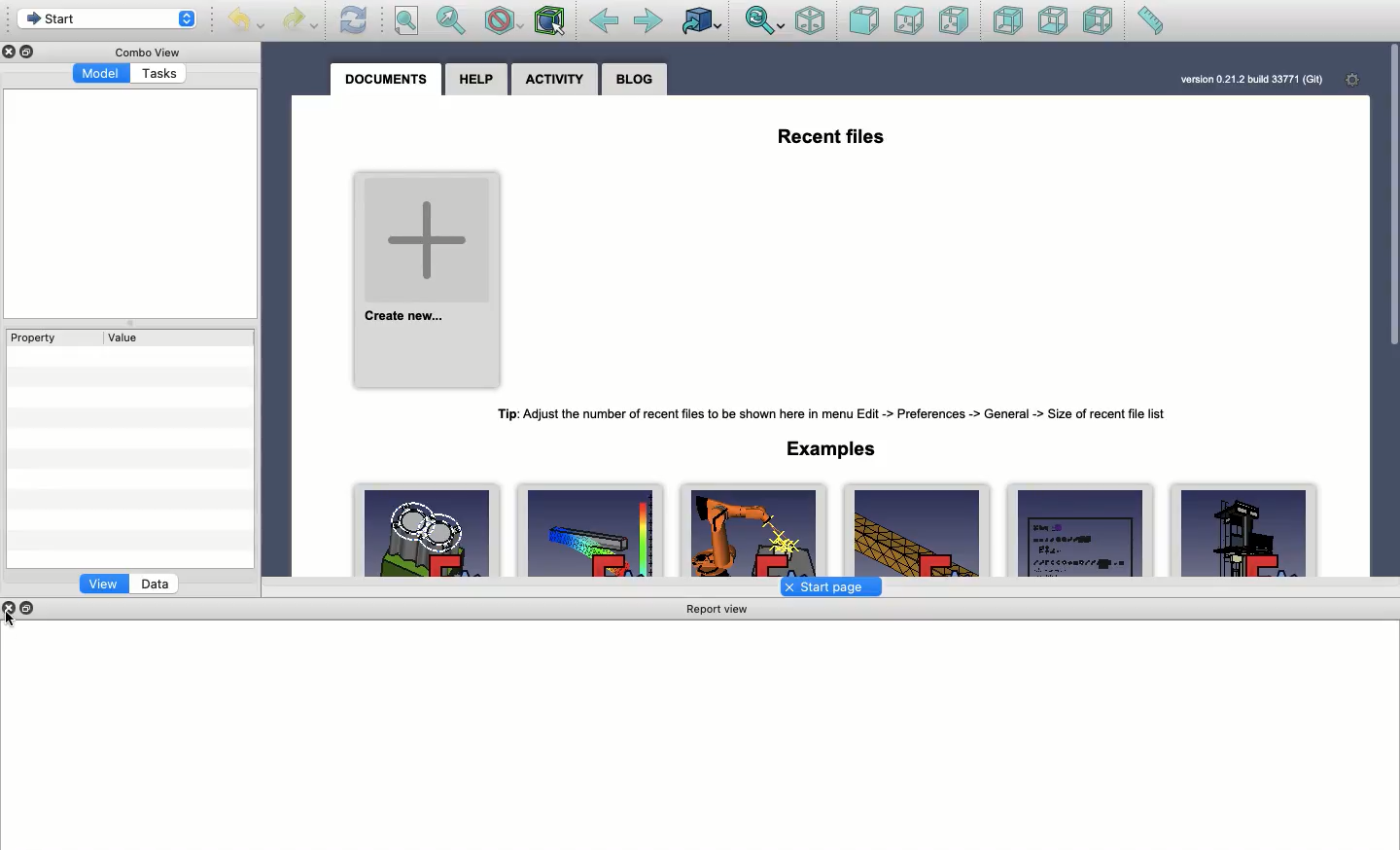  Describe the element at coordinates (105, 583) in the screenshot. I see `View` at that location.